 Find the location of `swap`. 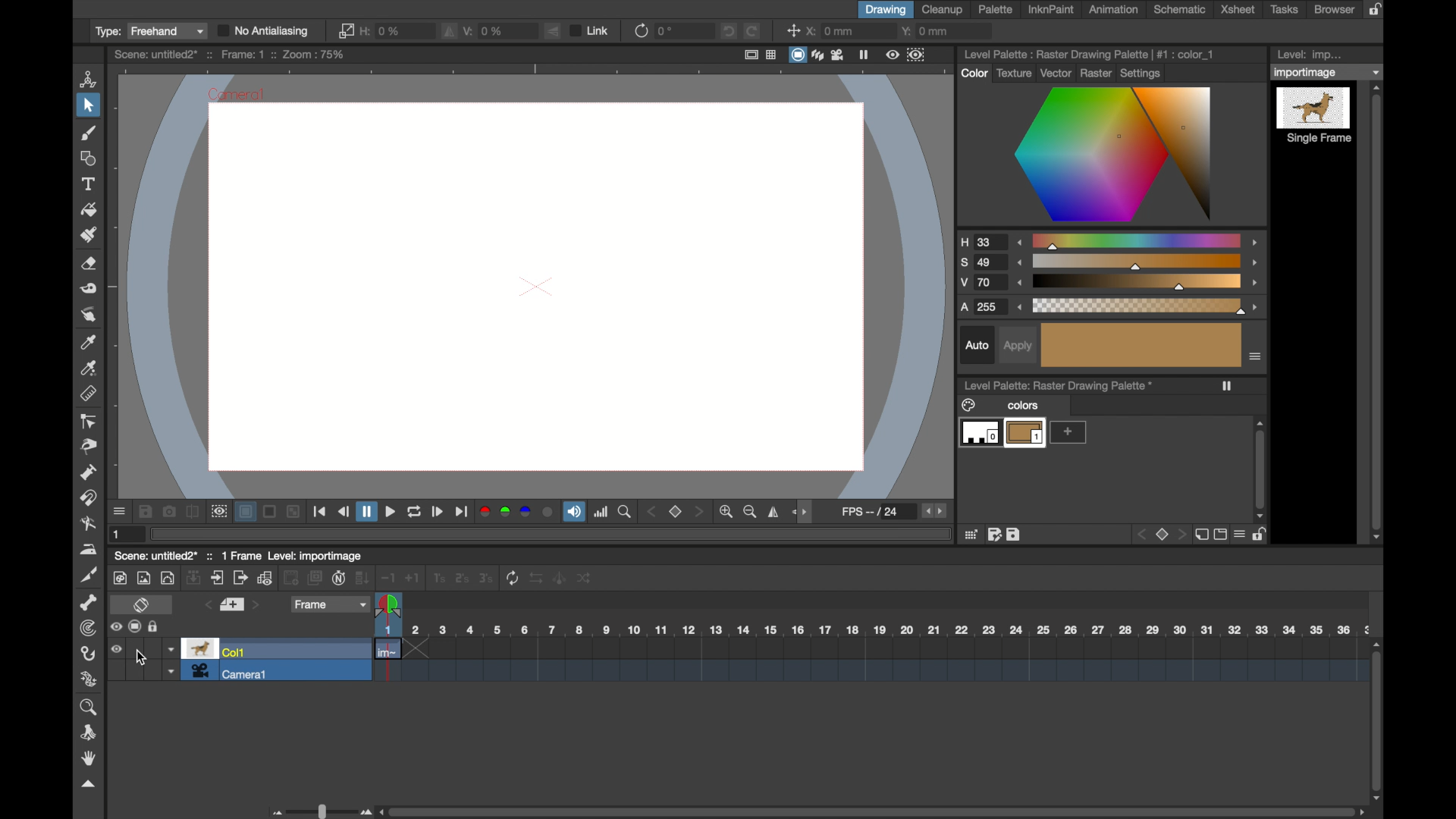

swap is located at coordinates (537, 577).